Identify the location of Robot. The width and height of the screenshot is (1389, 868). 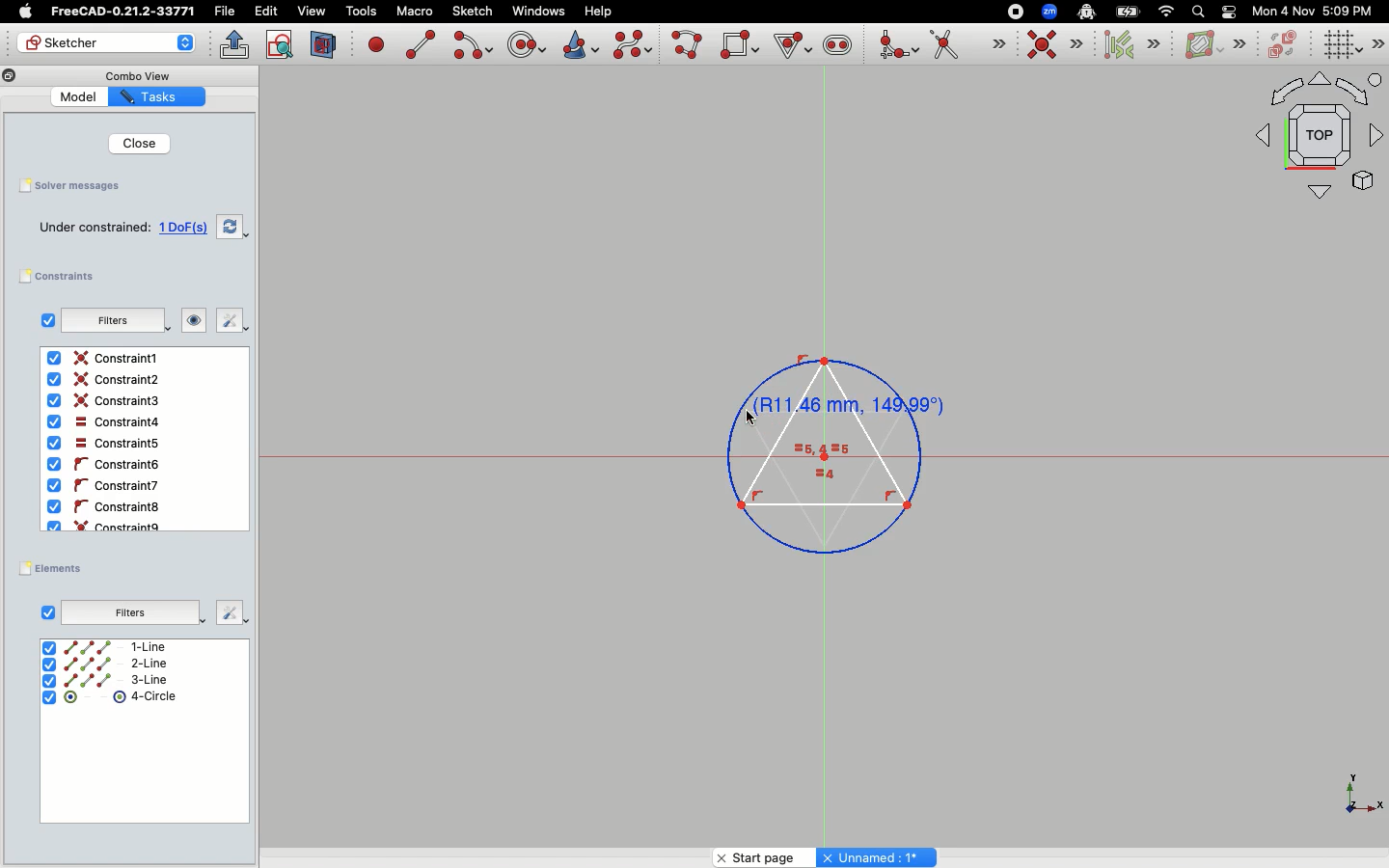
(1086, 14).